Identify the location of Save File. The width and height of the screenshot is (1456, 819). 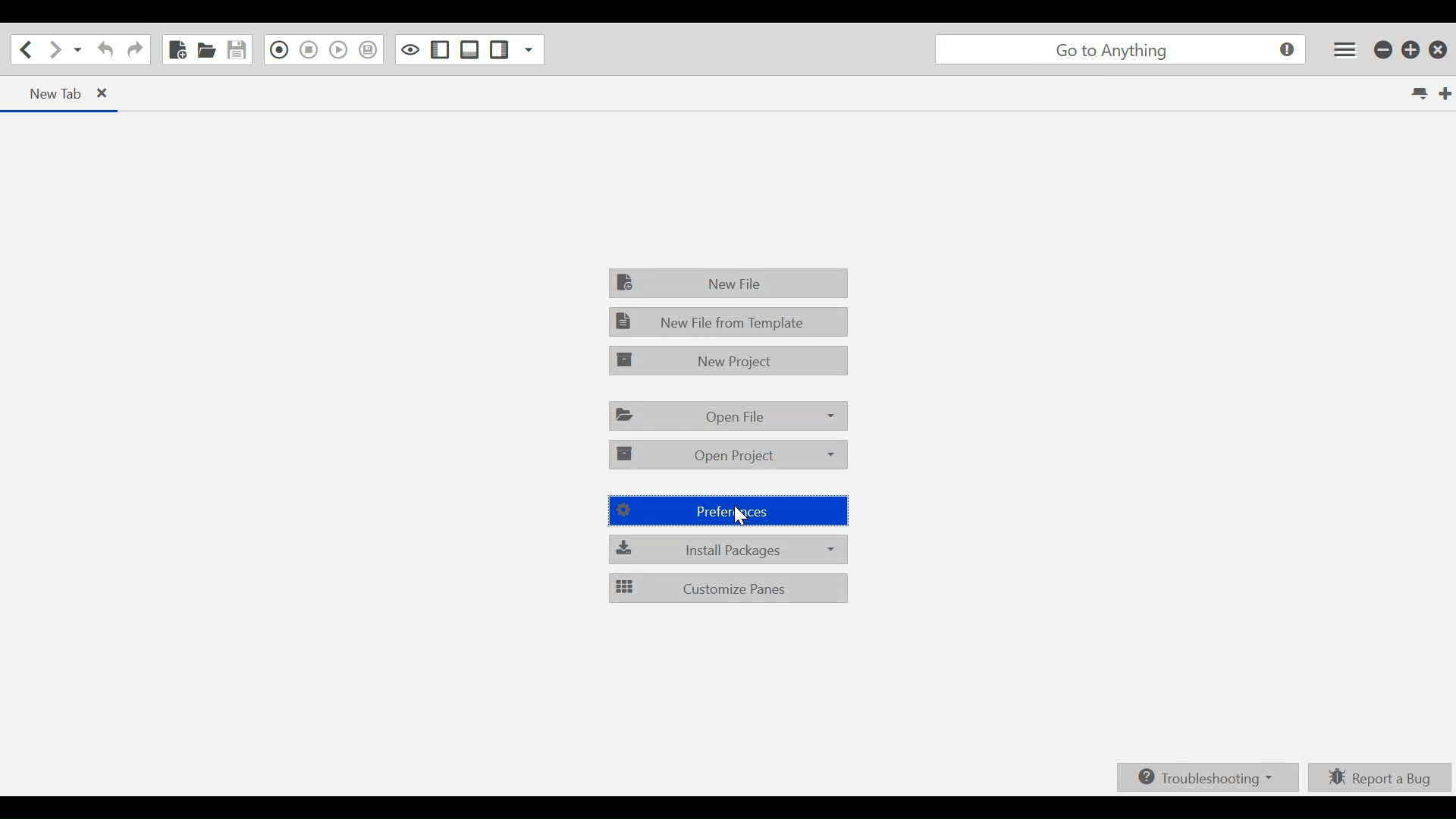
(236, 50).